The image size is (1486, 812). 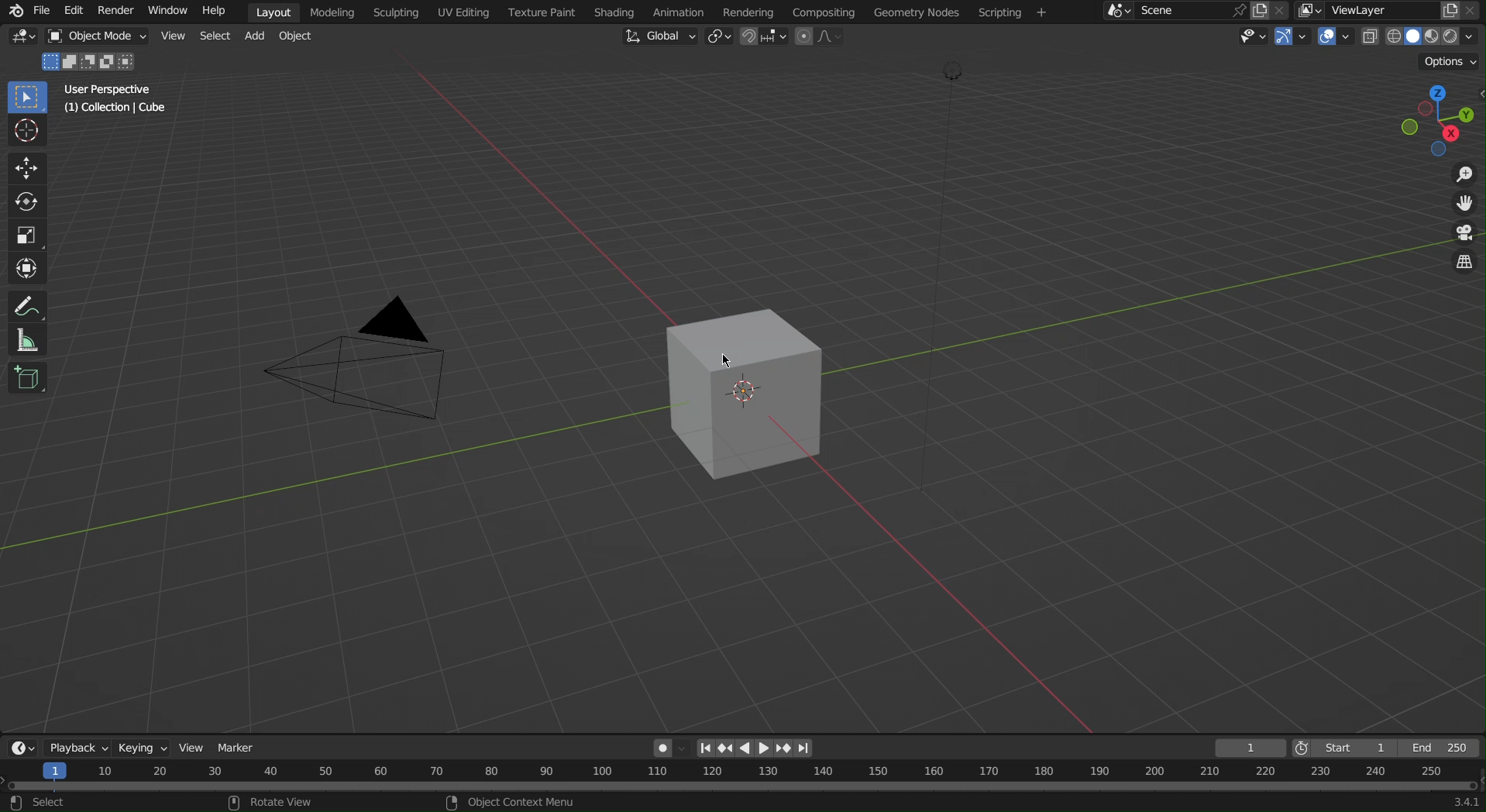 I want to click on Blender, so click(x=12, y=10).